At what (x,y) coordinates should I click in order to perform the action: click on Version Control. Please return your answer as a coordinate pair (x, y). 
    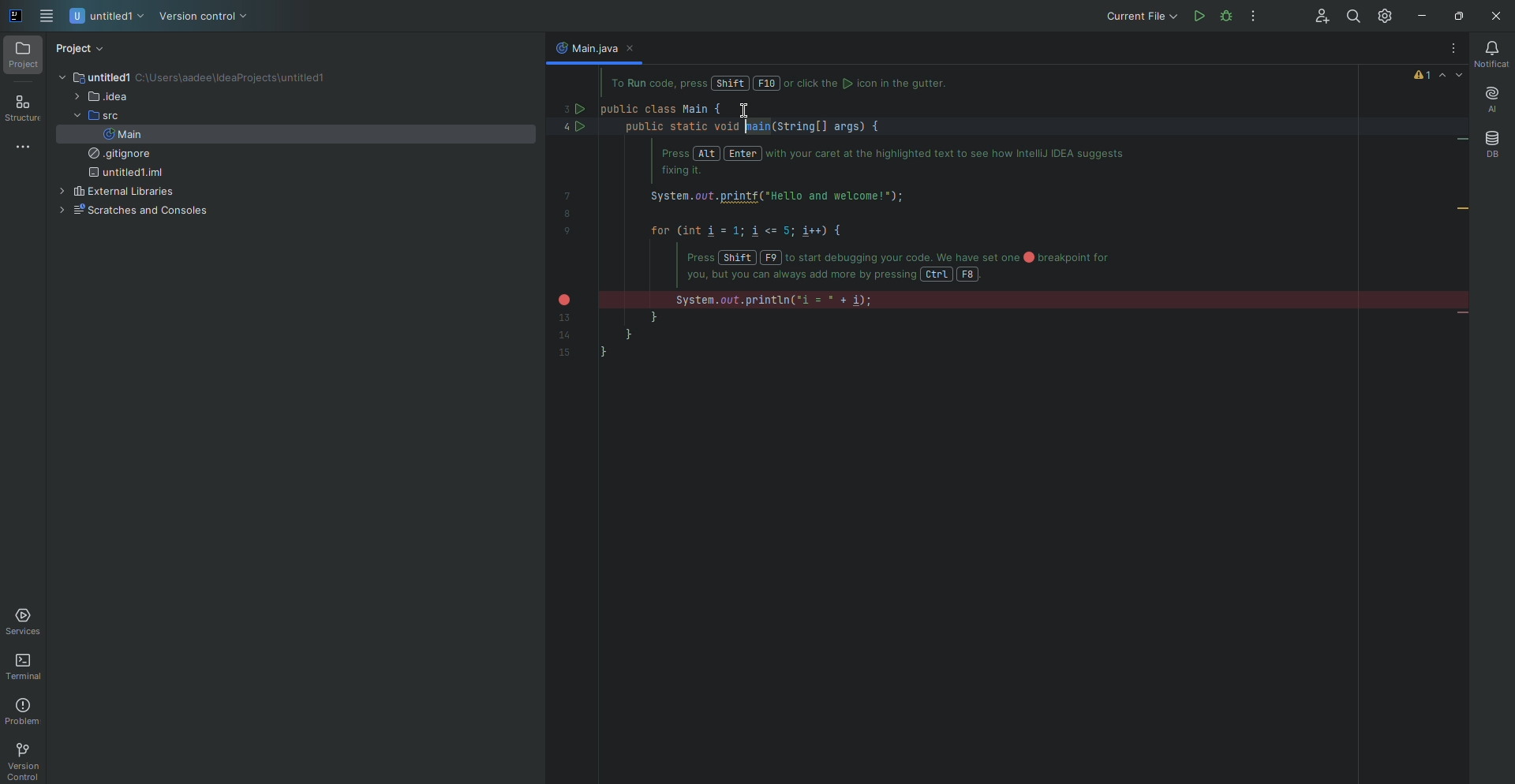
    Looking at the image, I should click on (22, 761).